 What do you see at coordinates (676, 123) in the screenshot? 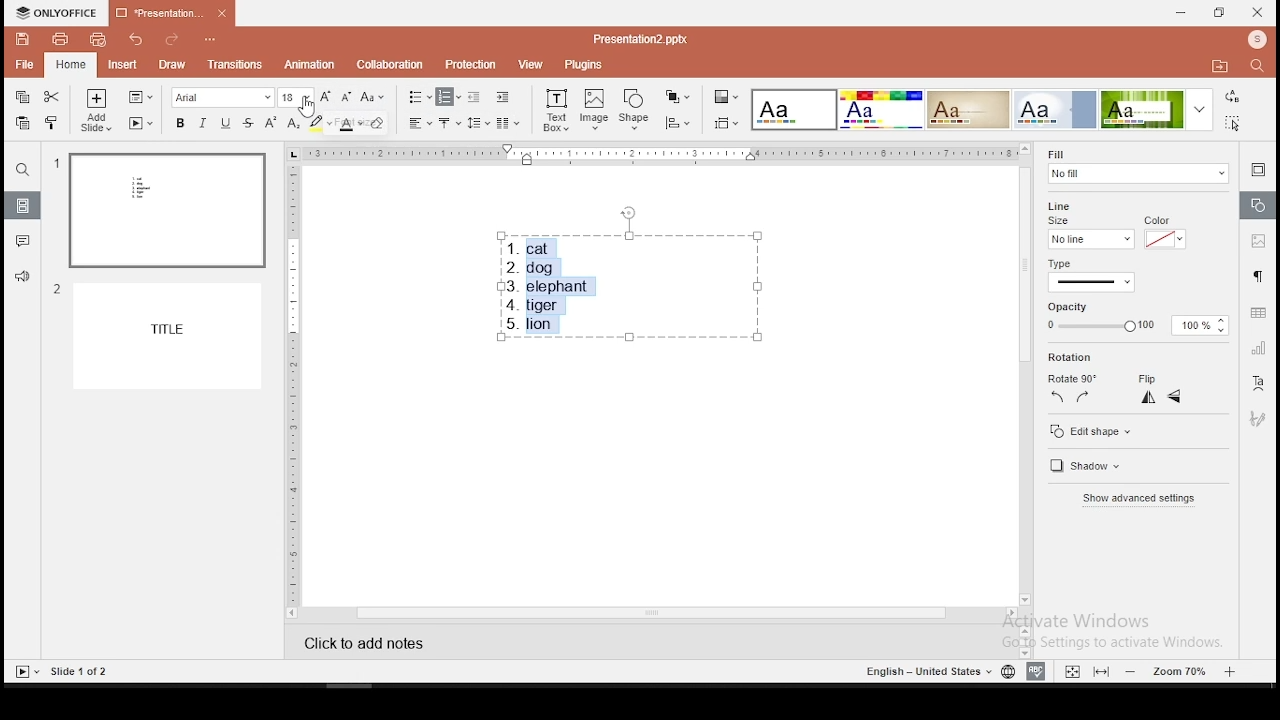
I see `align objects` at bounding box center [676, 123].